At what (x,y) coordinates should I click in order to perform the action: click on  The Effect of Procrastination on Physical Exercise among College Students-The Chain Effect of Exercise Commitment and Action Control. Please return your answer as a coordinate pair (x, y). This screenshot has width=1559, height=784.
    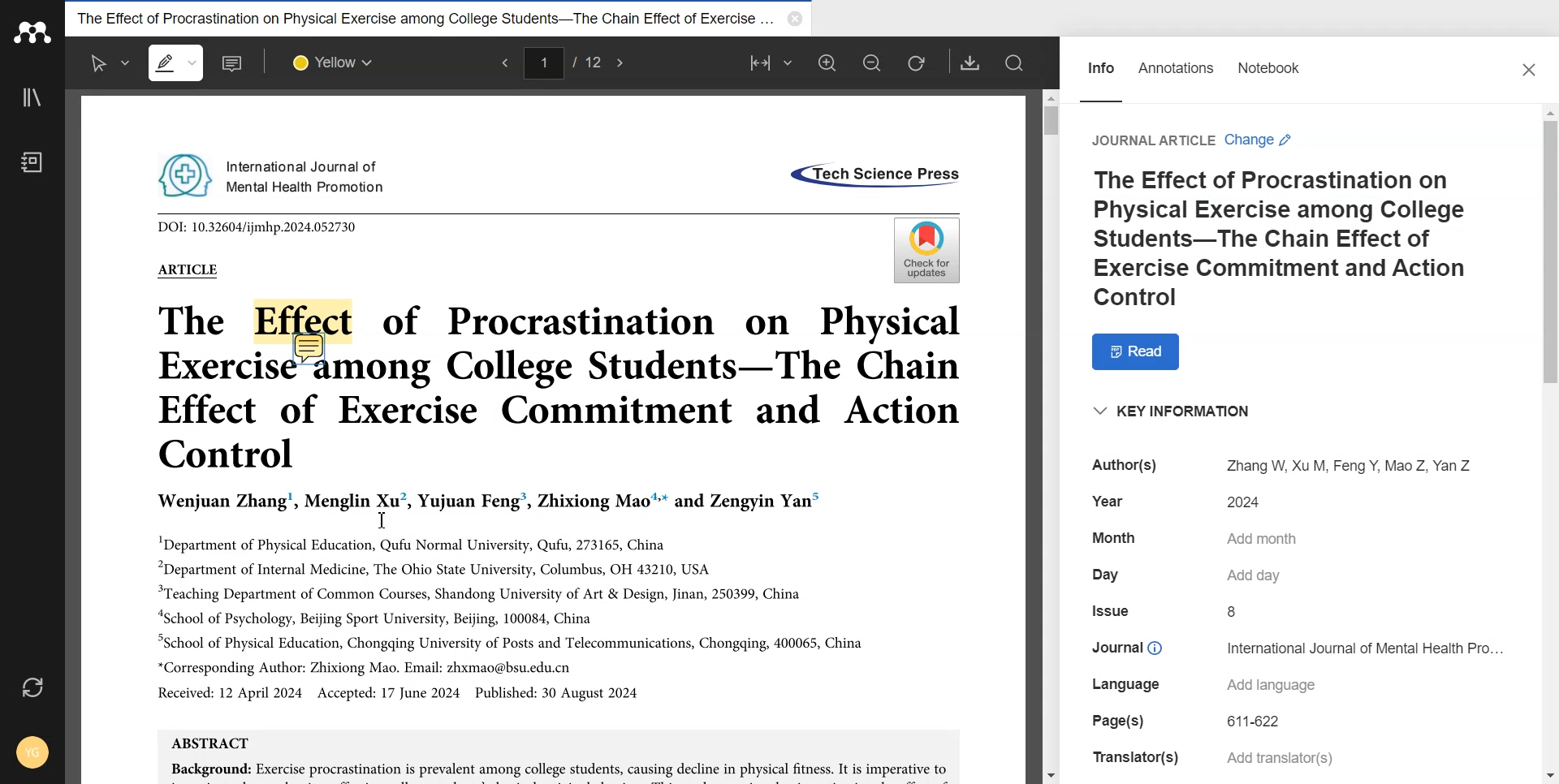
    Looking at the image, I should click on (1293, 239).